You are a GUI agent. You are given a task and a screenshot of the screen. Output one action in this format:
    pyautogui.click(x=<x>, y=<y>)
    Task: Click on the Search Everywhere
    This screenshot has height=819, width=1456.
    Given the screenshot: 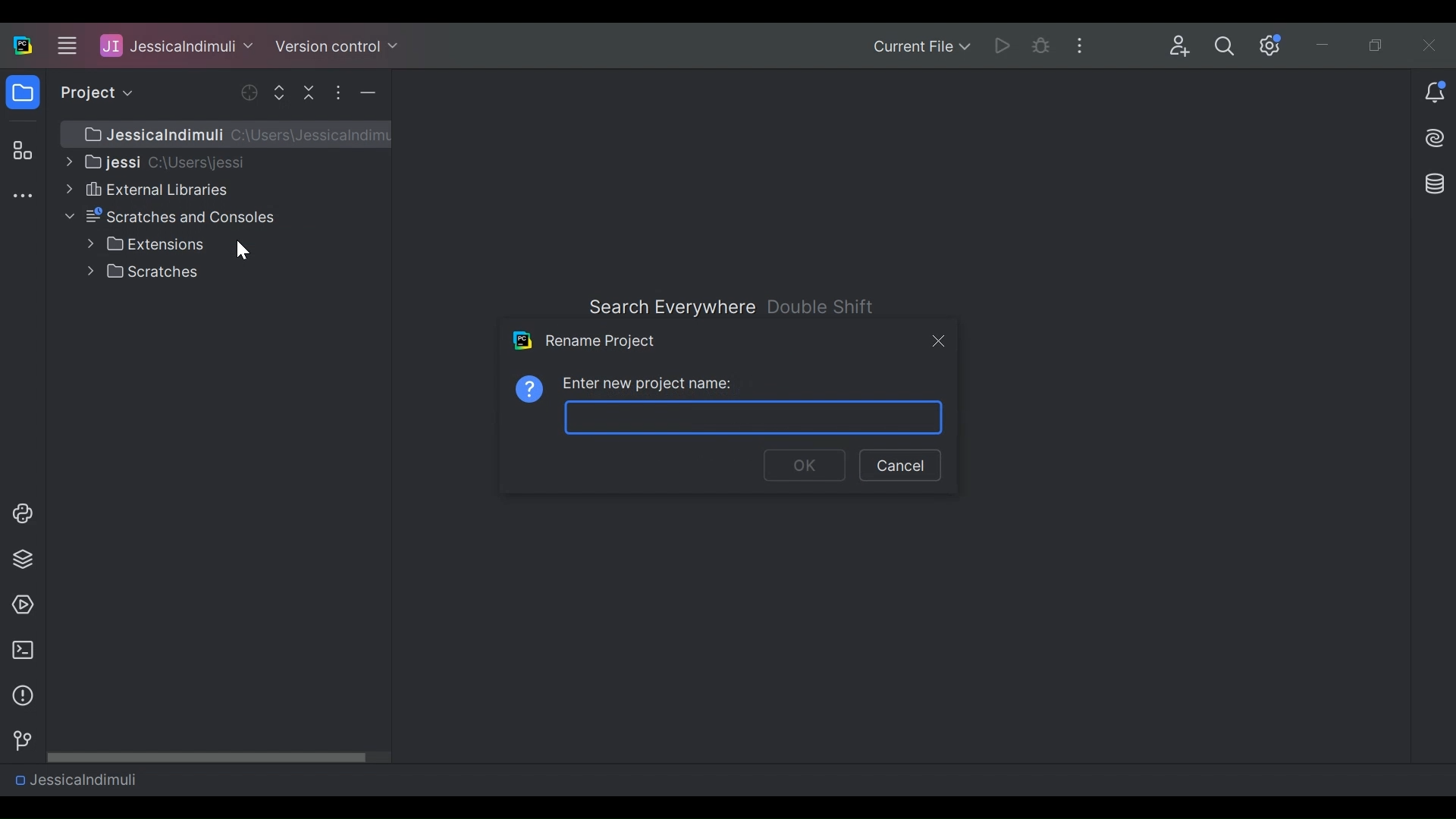 What is the action you would take?
    pyautogui.click(x=670, y=307)
    